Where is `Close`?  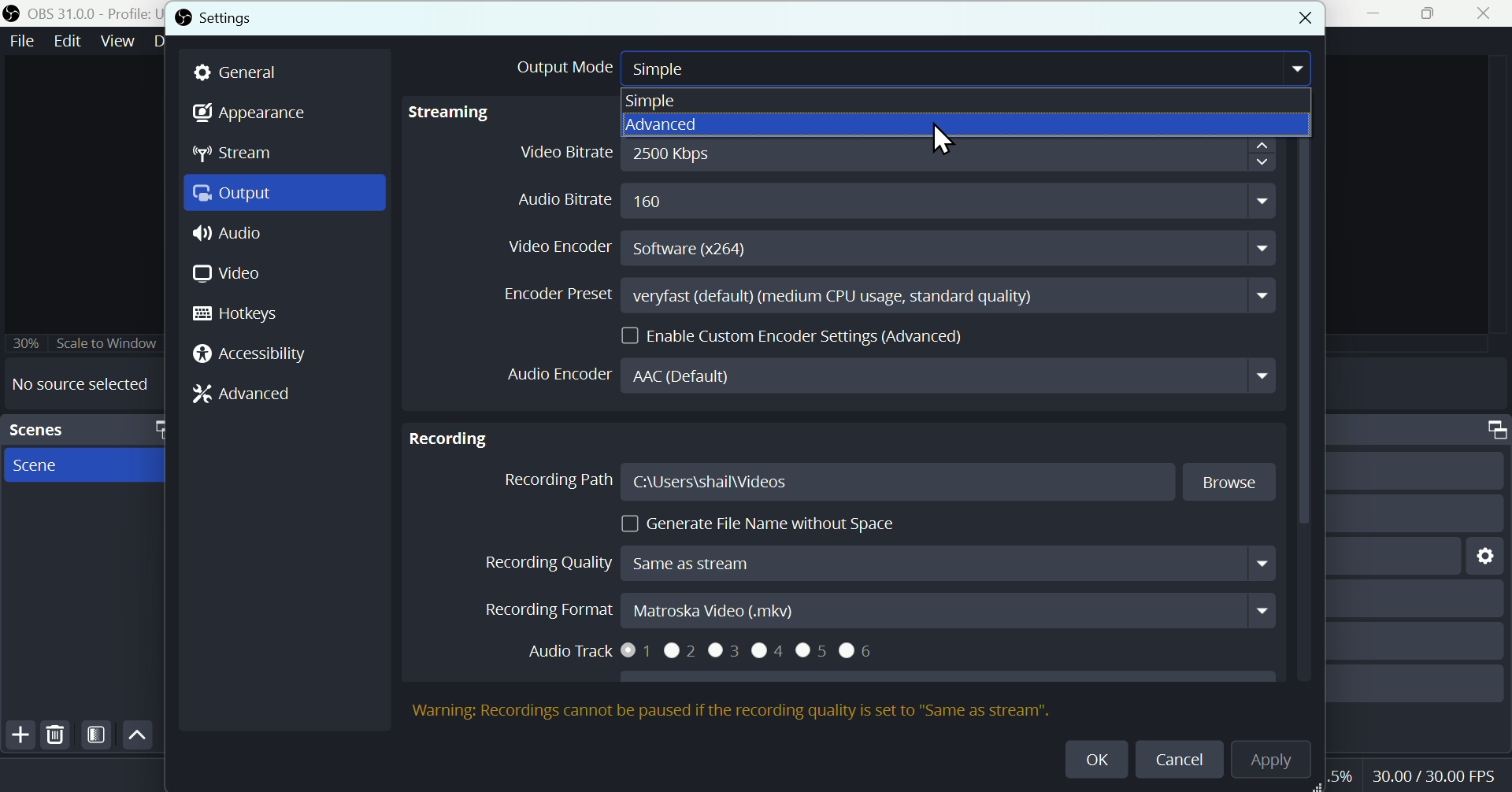
Close is located at coordinates (1488, 13).